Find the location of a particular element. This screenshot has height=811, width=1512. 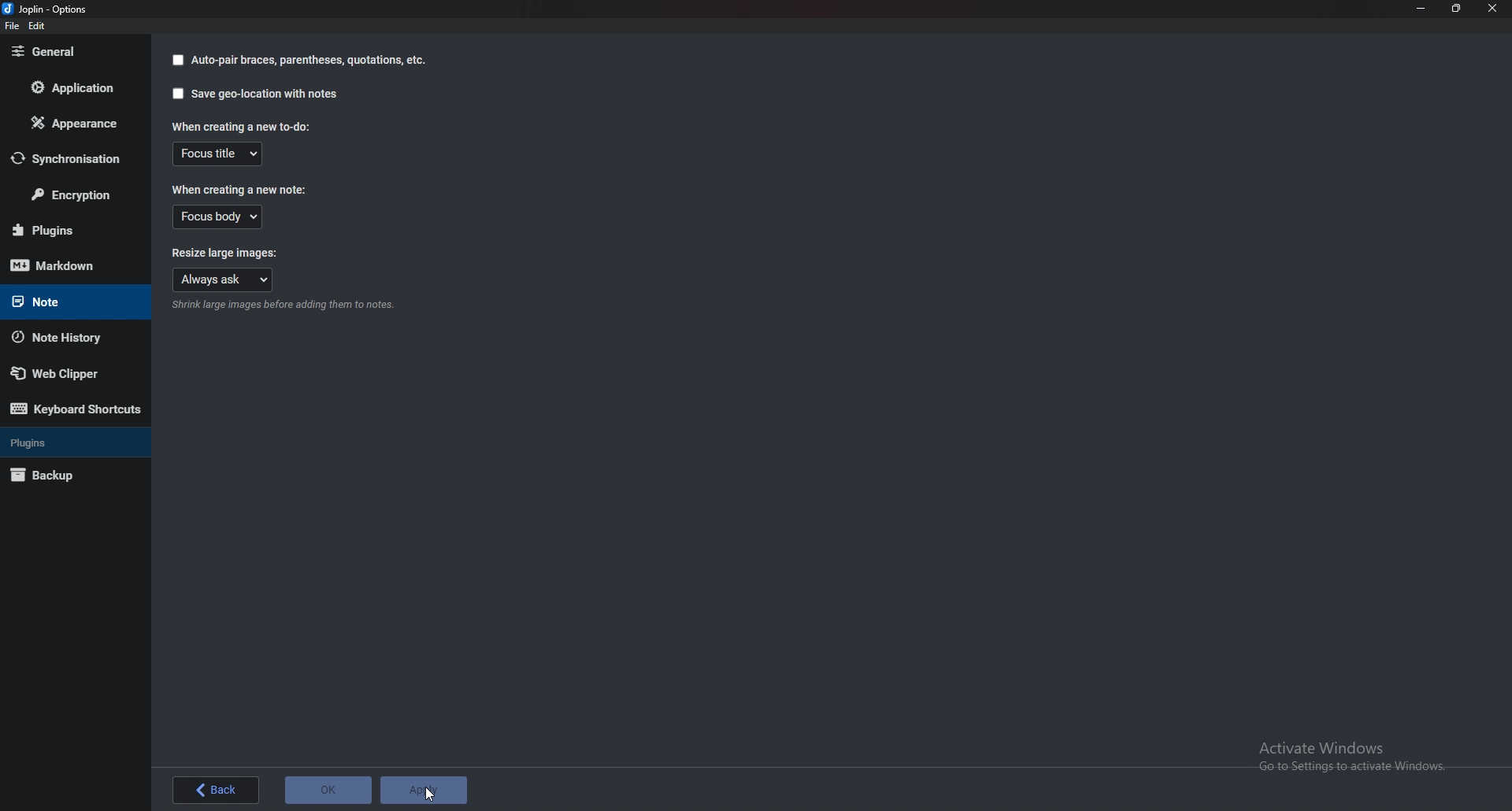

When creating a new note is located at coordinates (238, 191).